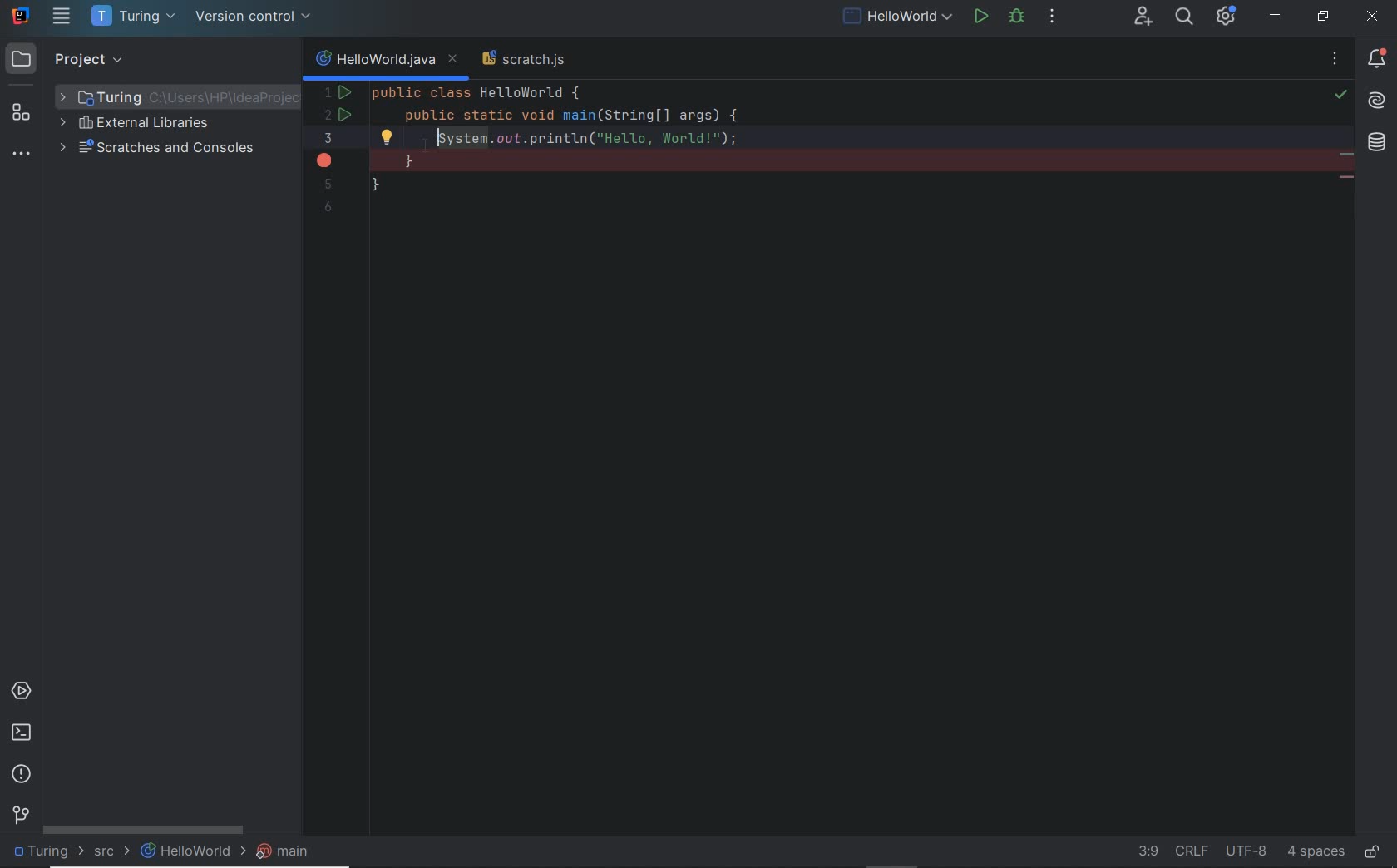  I want to click on more tool windows, so click(20, 155).